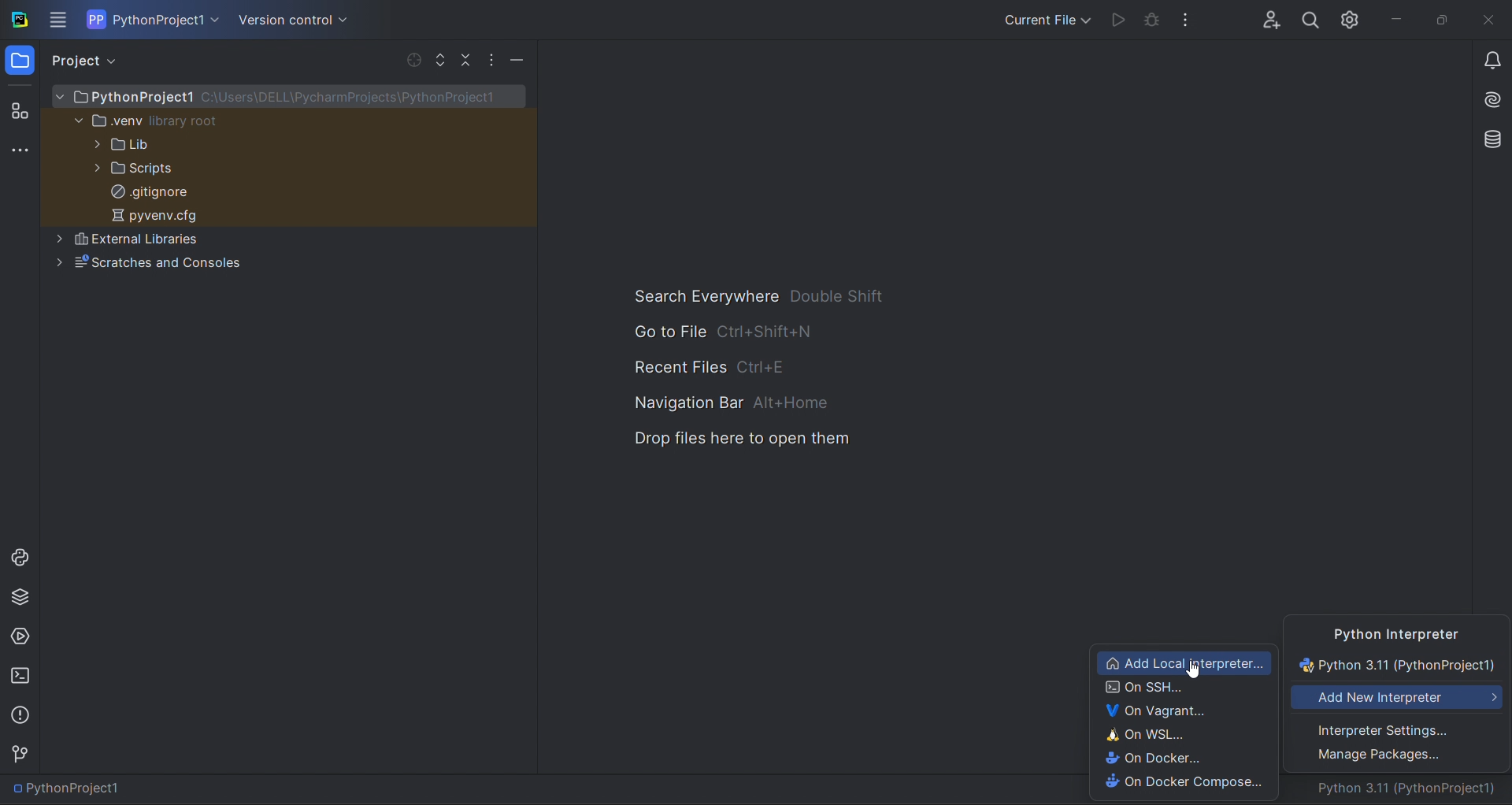 The image size is (1512, 805). I want to click on settings, so click(1397, 729).